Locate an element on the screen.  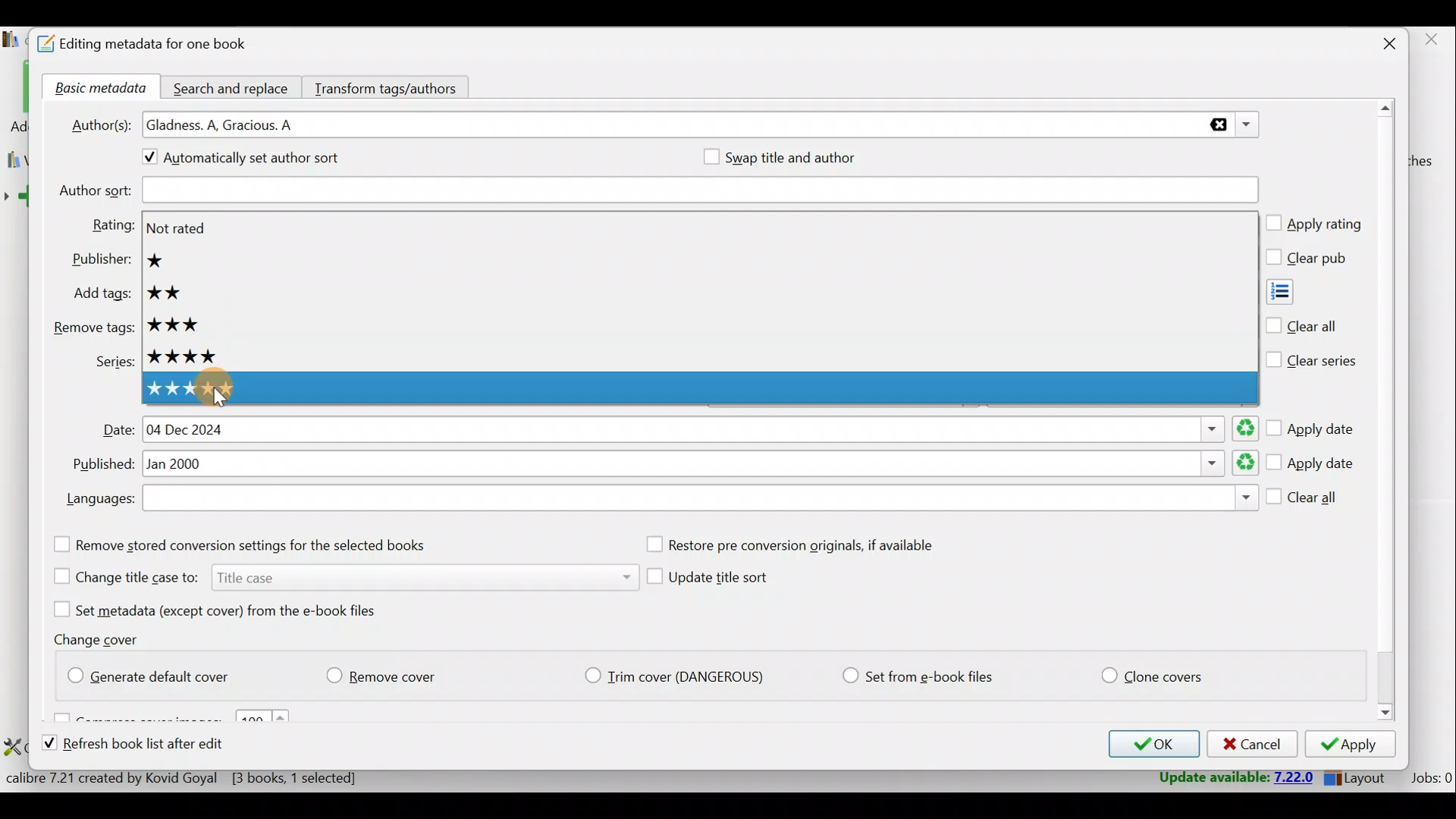
Apply rating is located at coordinates (1313, 225).